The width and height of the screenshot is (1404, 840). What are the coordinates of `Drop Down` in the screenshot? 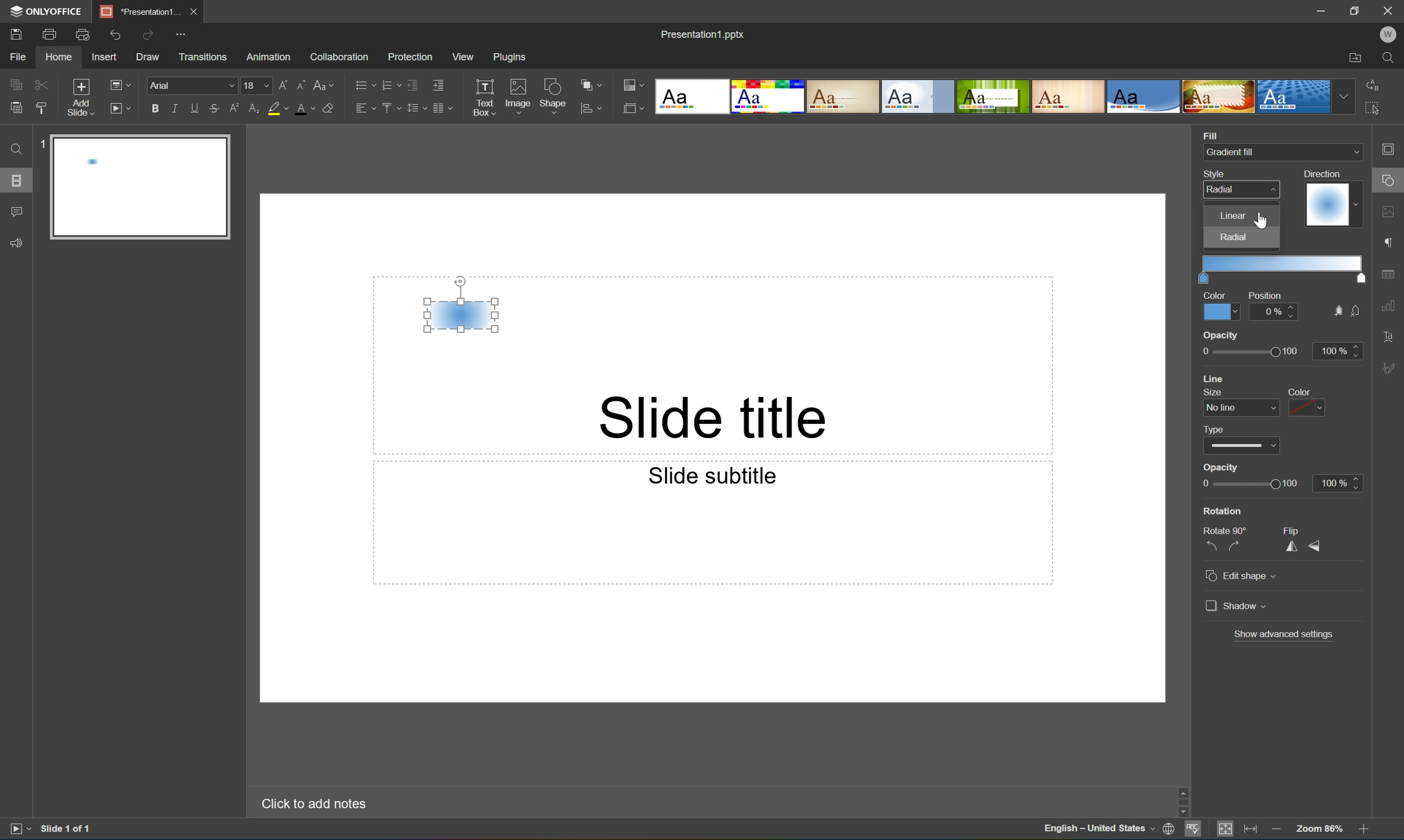 It's located at (1345, 96).